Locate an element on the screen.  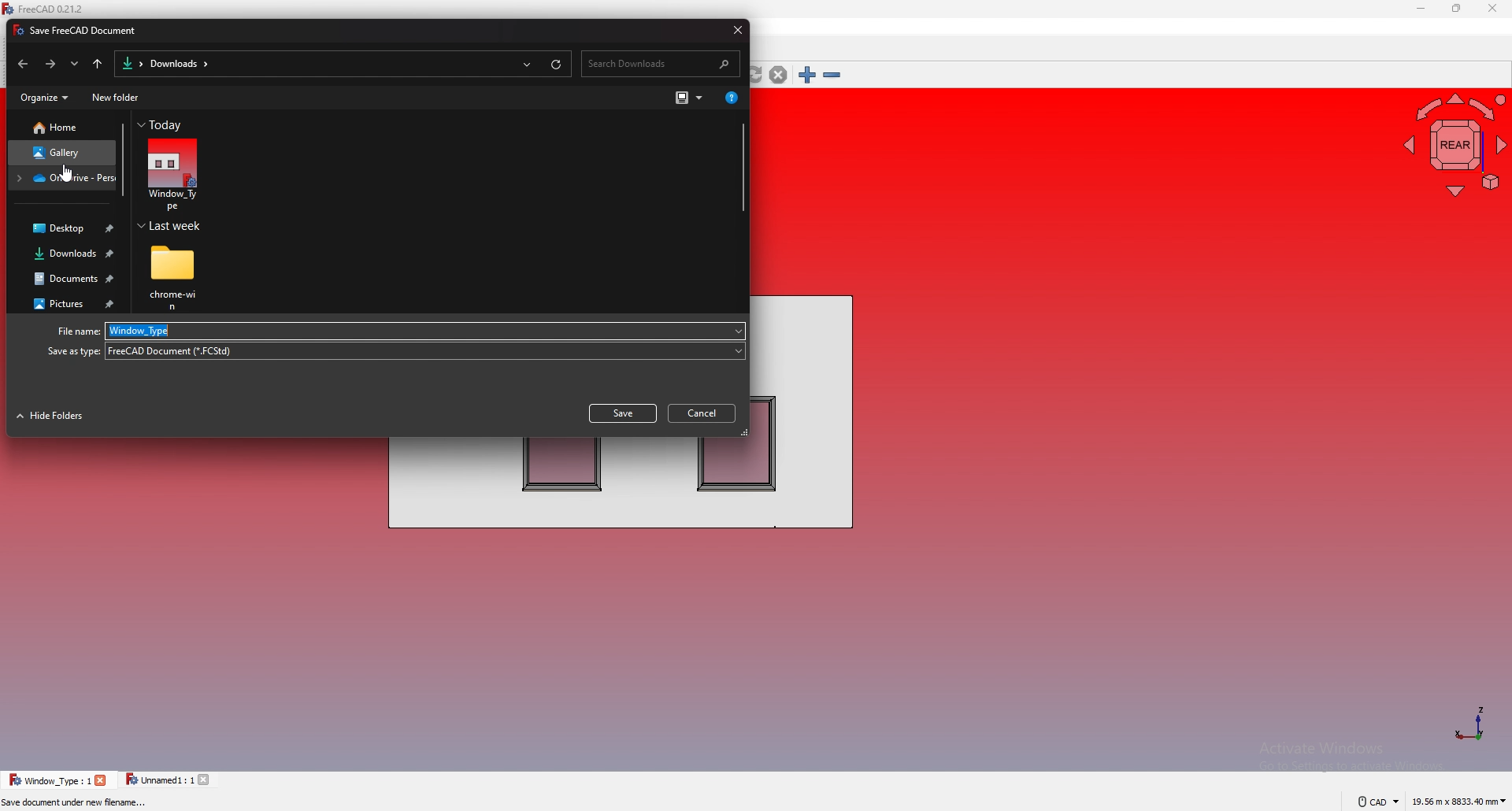
navigating cube is located at coordinates (1451, 143).